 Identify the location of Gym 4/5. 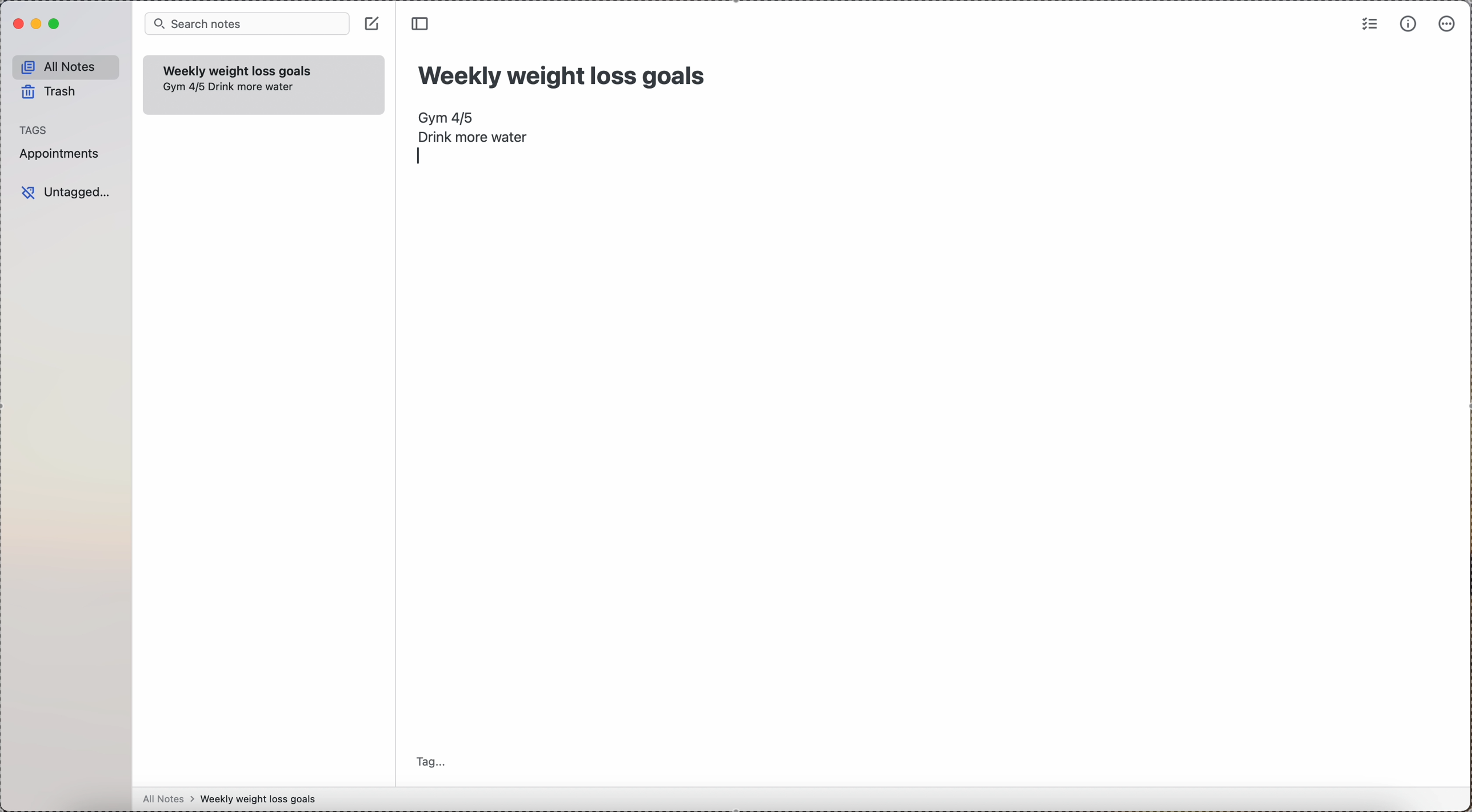
(183, 87).